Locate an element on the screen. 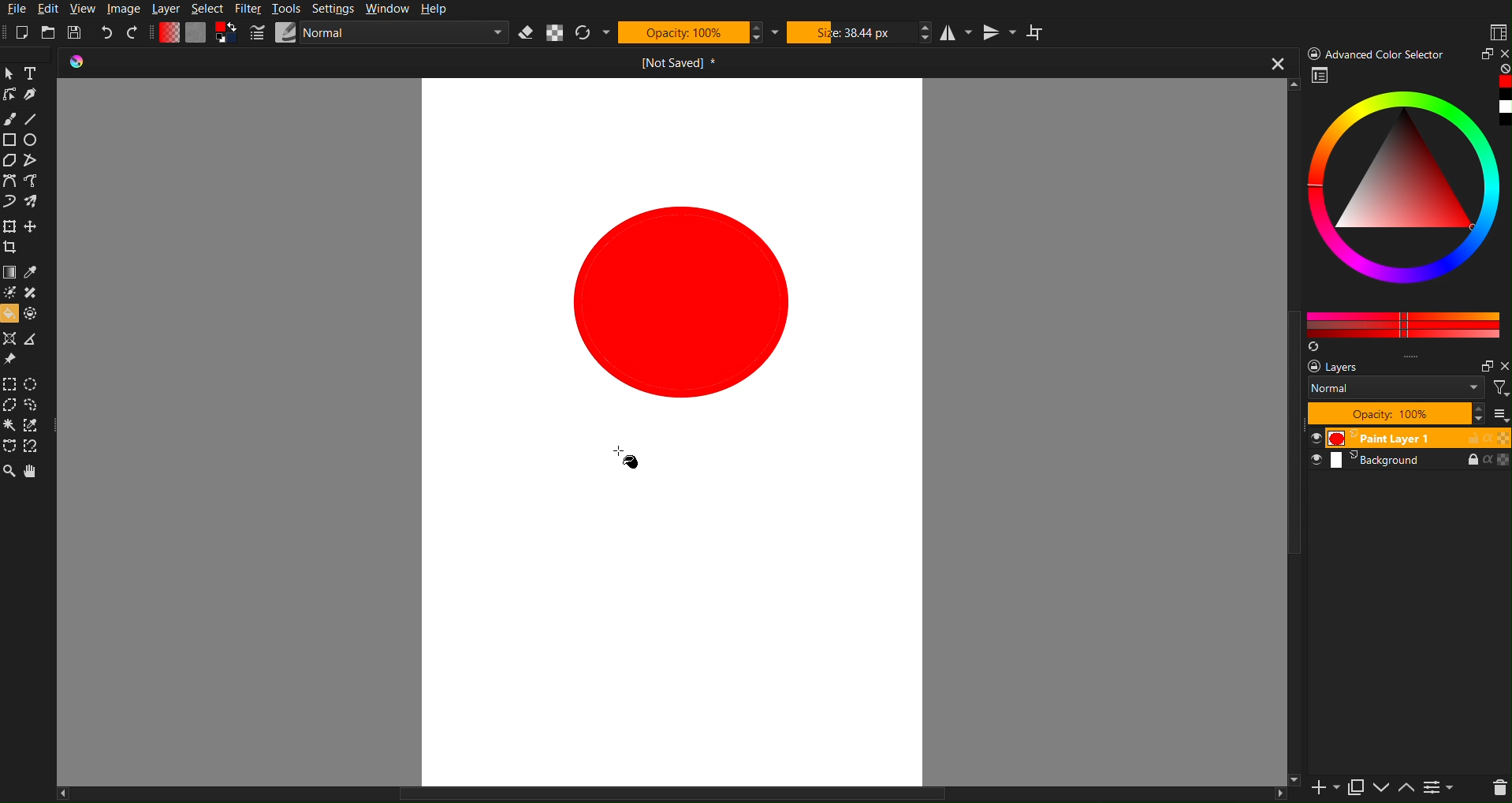 This screenshot has width=1512, height=803. Layer is located at coordinates (166, 9).